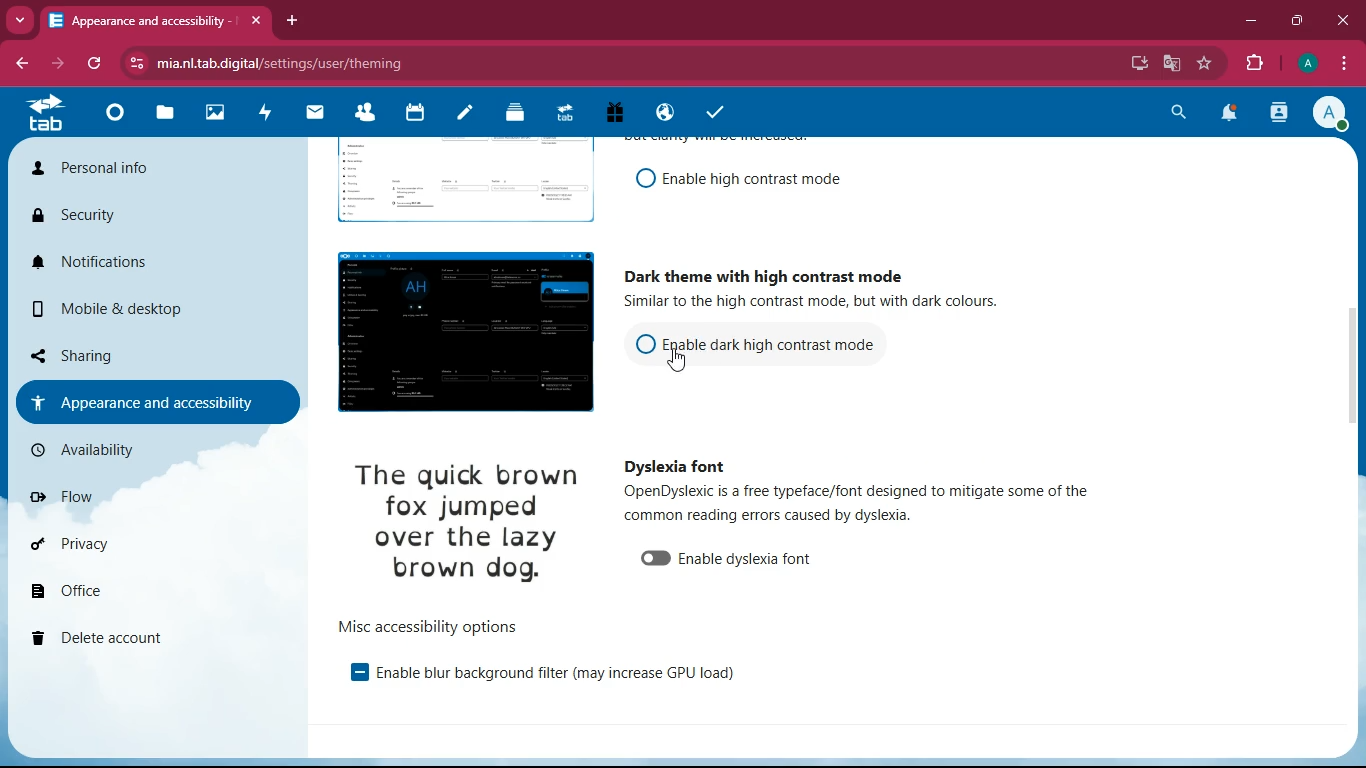 The image size is (1366, 768). What do you see at coordinates (429, 625) in the screenshot?
I see `options` at bounding box center [429, 625].